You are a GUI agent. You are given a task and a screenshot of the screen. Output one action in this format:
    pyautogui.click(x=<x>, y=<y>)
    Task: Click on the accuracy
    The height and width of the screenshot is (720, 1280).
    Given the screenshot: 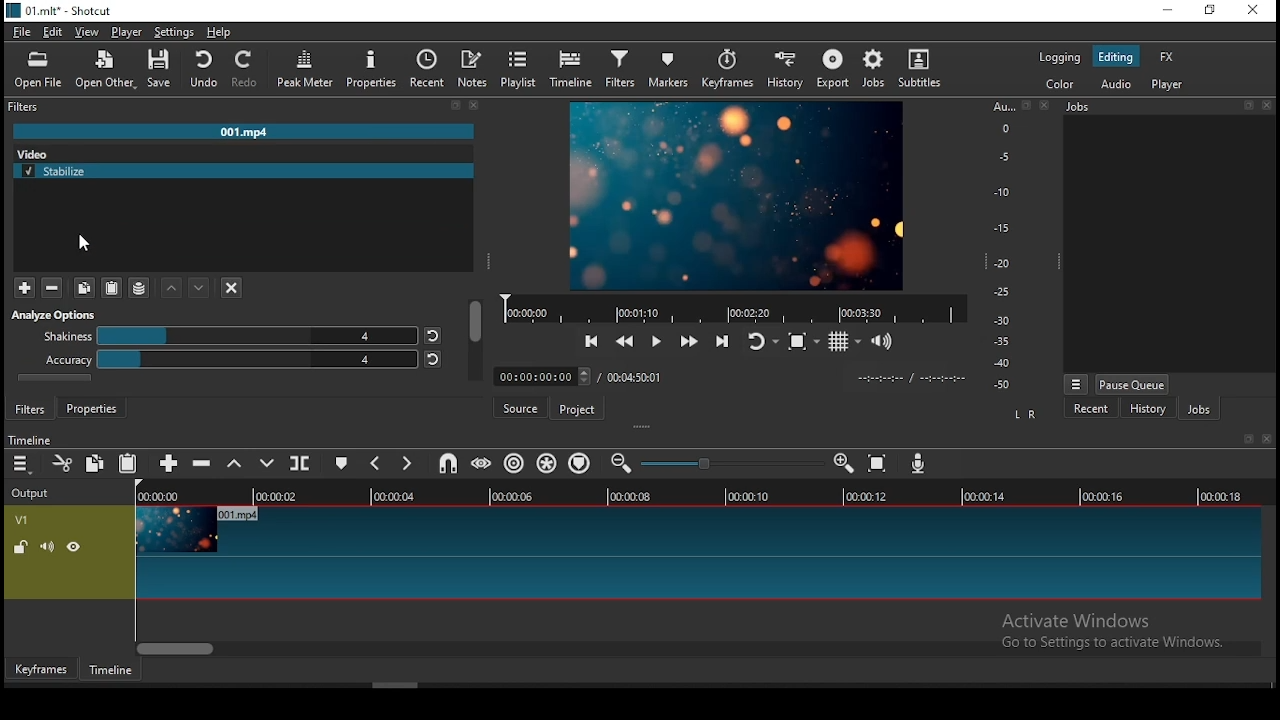 What is the action you would take?
    pyautogui.click(x=232, y=359)
    